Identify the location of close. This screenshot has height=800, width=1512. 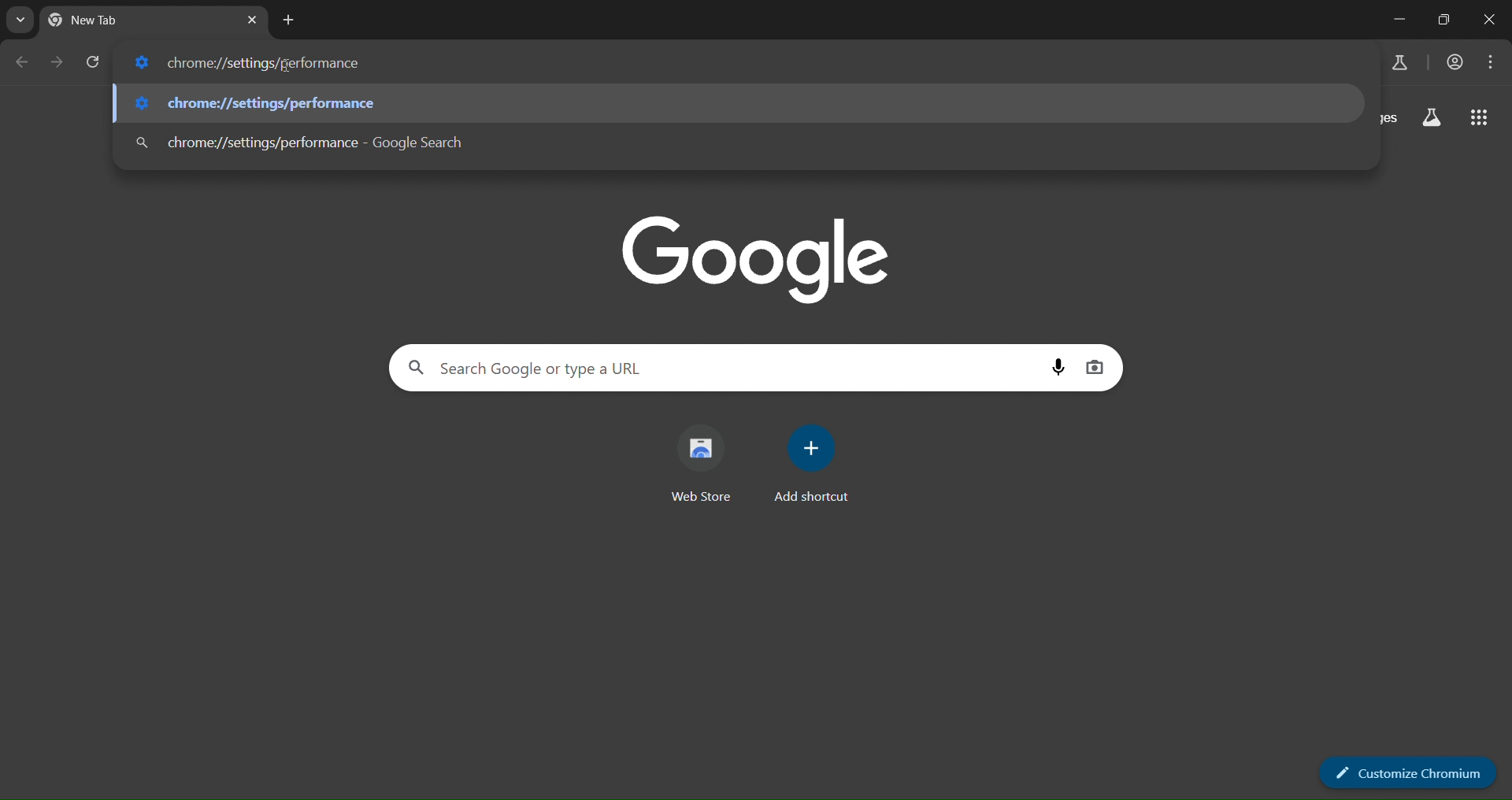
(1494, 22).